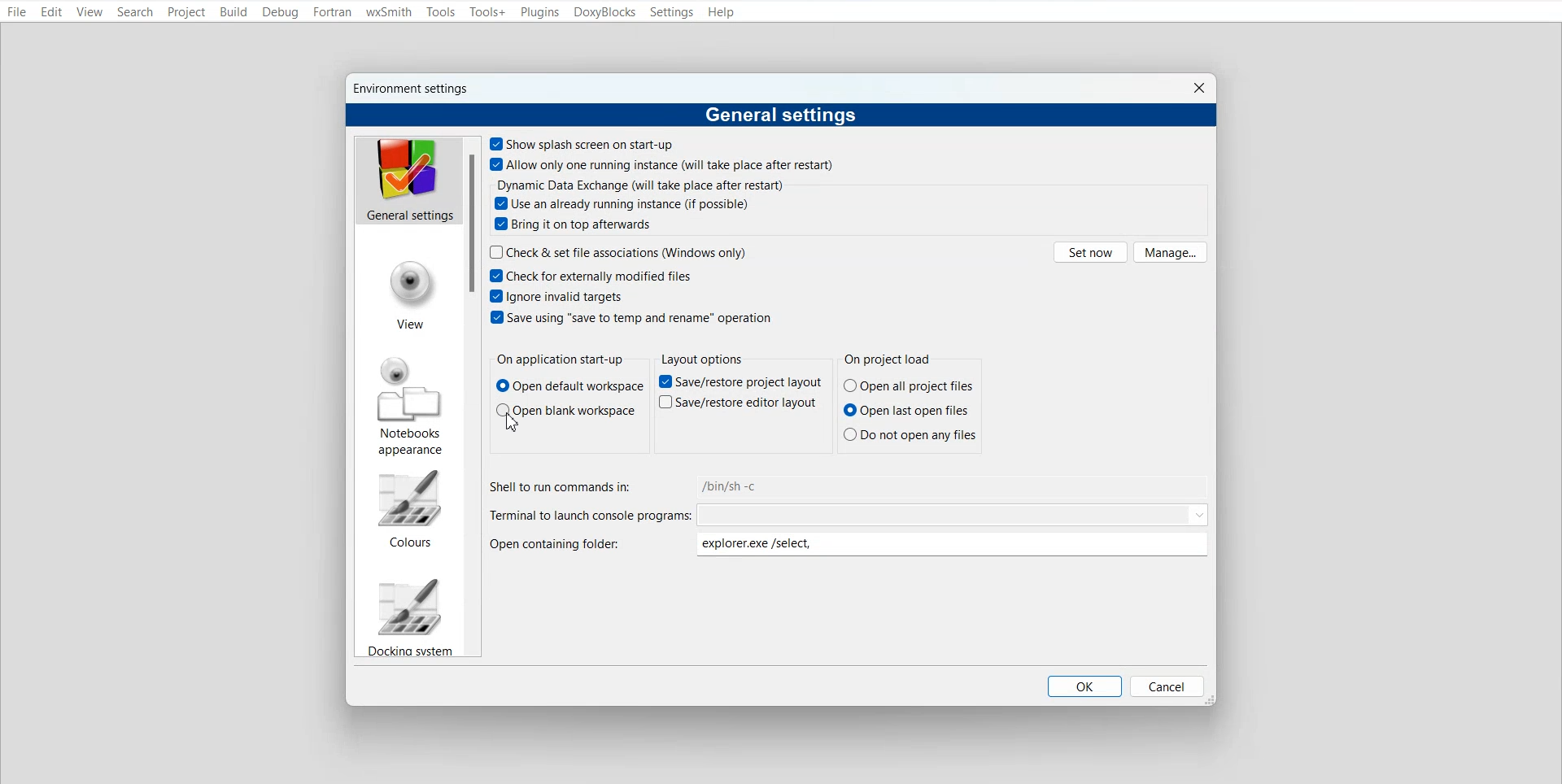  What do you see at coordinates (701, 359) in the screenshot?
I see `Text` at bounding box center [701, 359].